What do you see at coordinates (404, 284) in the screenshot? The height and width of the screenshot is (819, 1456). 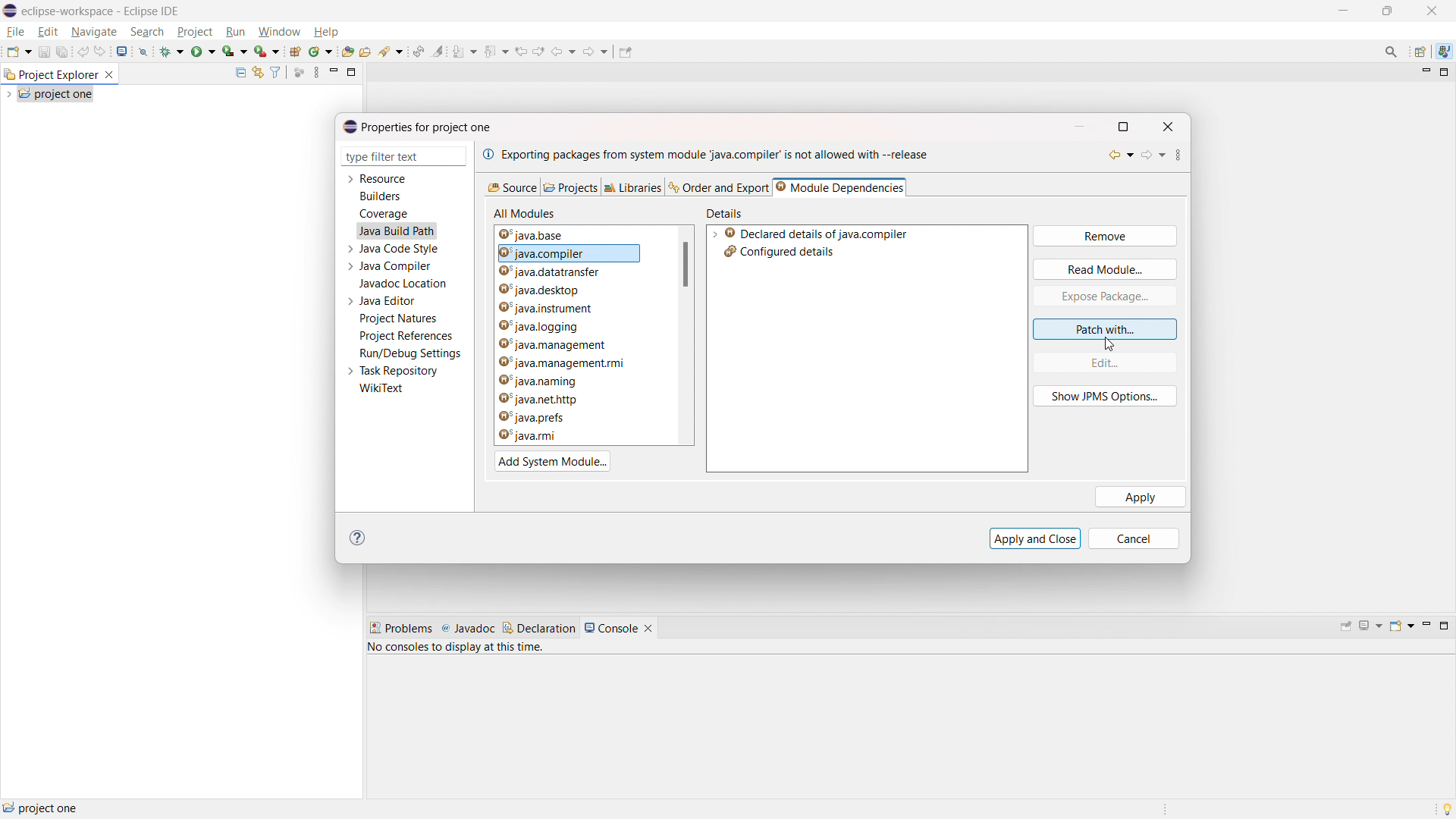 I see `javadoc location` at bounding box center [404, 284].